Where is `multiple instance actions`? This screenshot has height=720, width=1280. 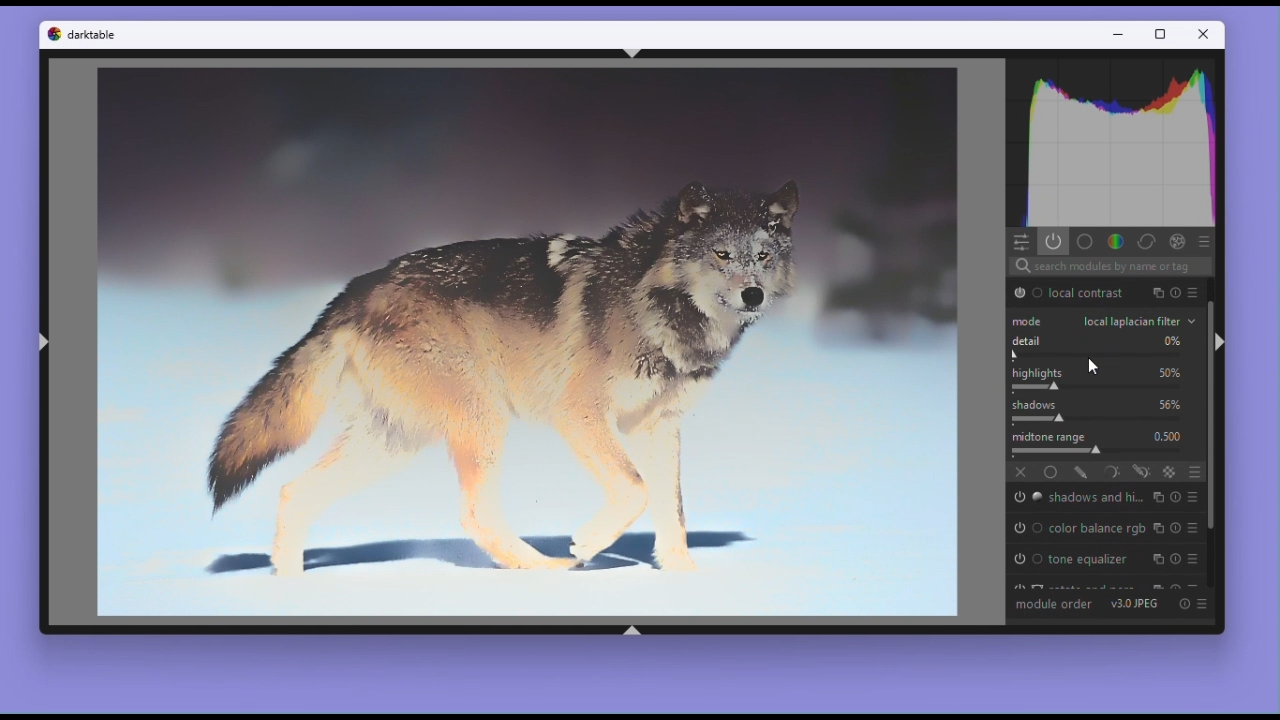
multiple instance actions is located at coordinates (1156, 500).